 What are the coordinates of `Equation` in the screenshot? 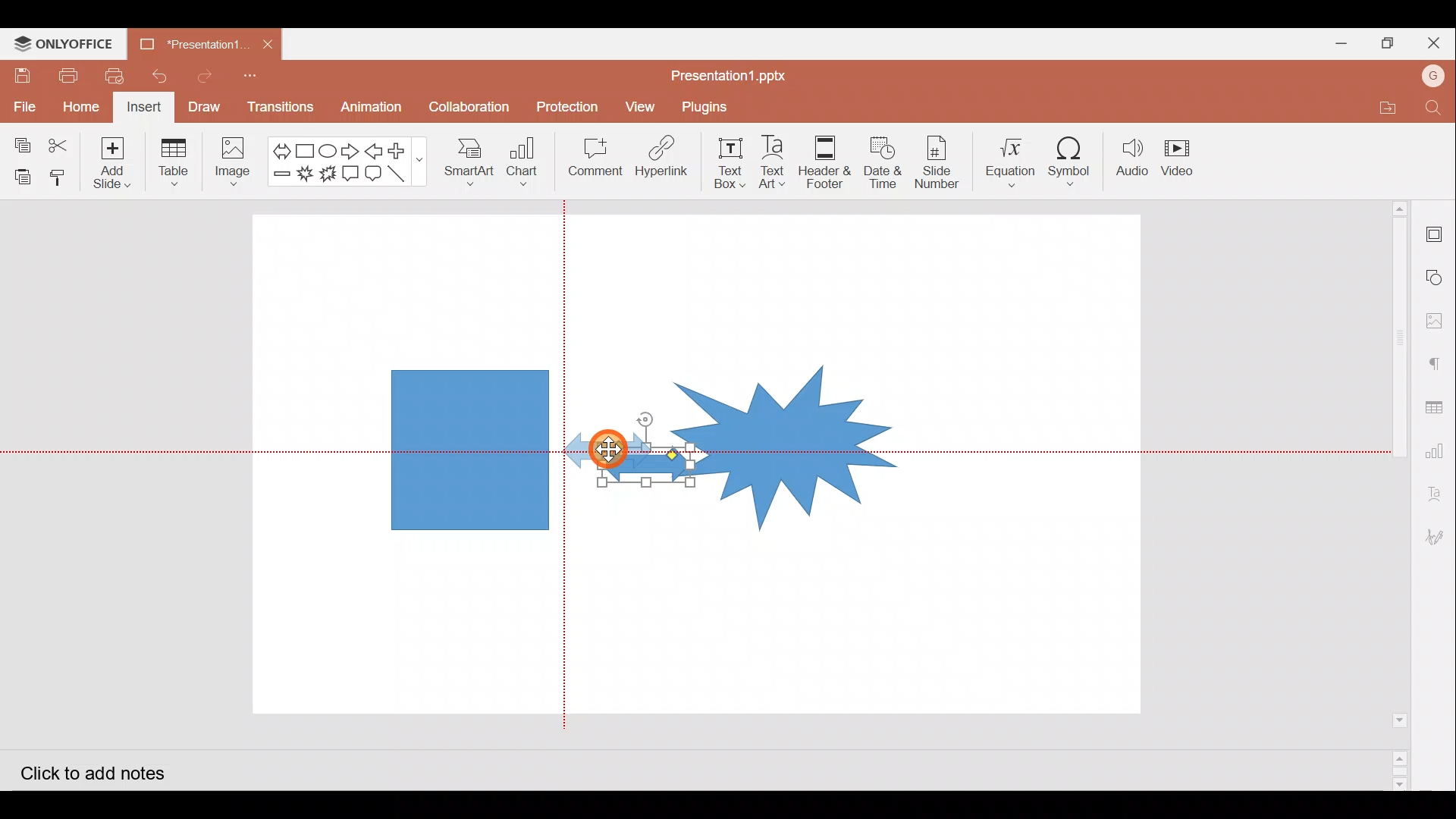 It's located at (1006, 160).